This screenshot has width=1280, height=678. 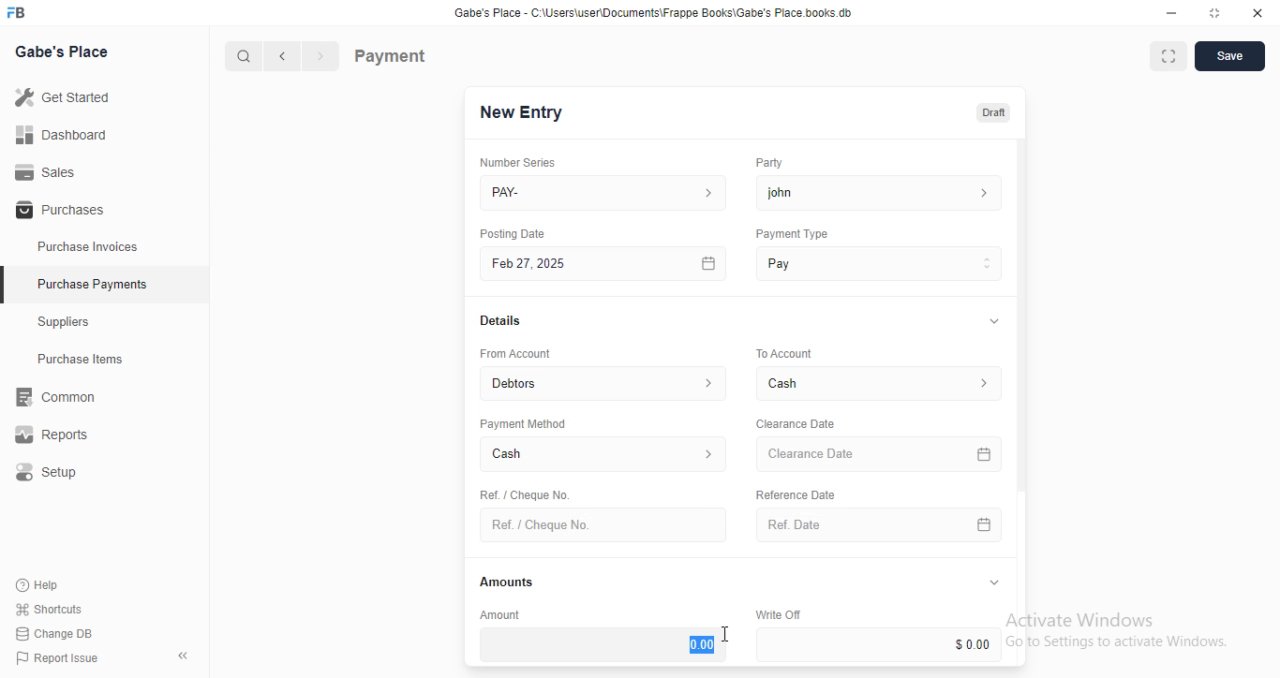 What do you see at coordinates (522, 113) in the screenshot?
I see `New Entry` at bounding box center [522, 113].